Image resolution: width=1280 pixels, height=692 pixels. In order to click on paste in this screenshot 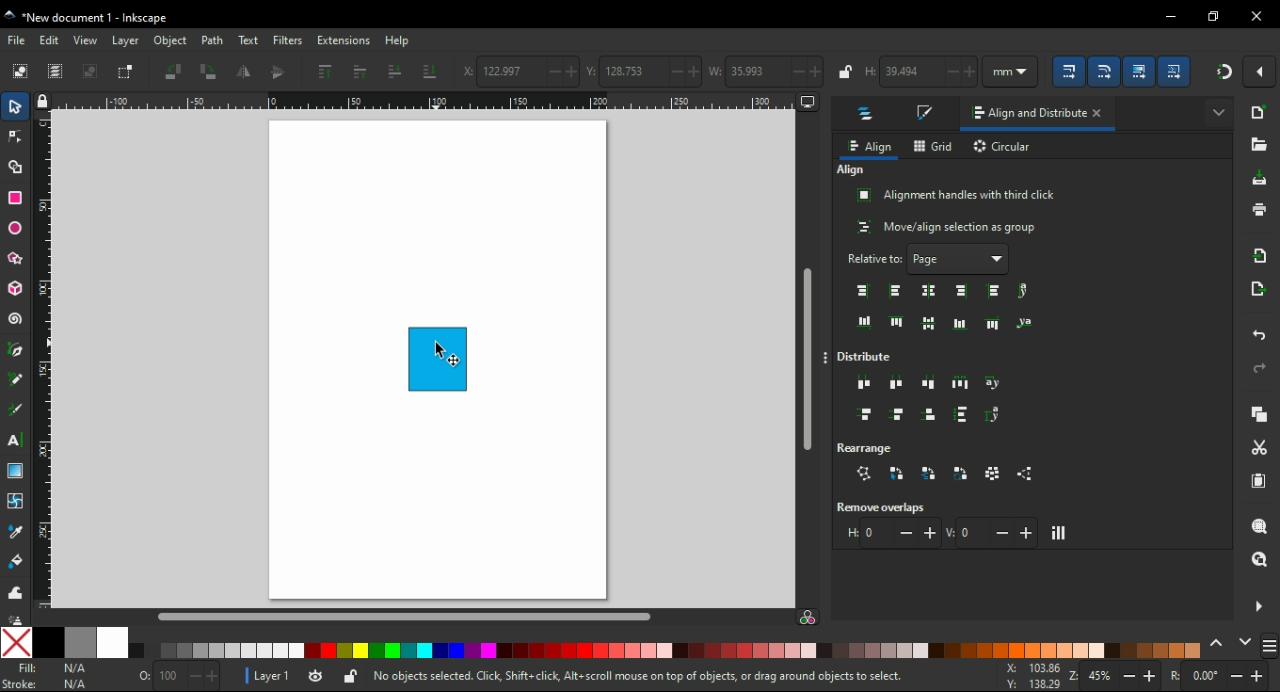, I will do `click(1258, 482)`.